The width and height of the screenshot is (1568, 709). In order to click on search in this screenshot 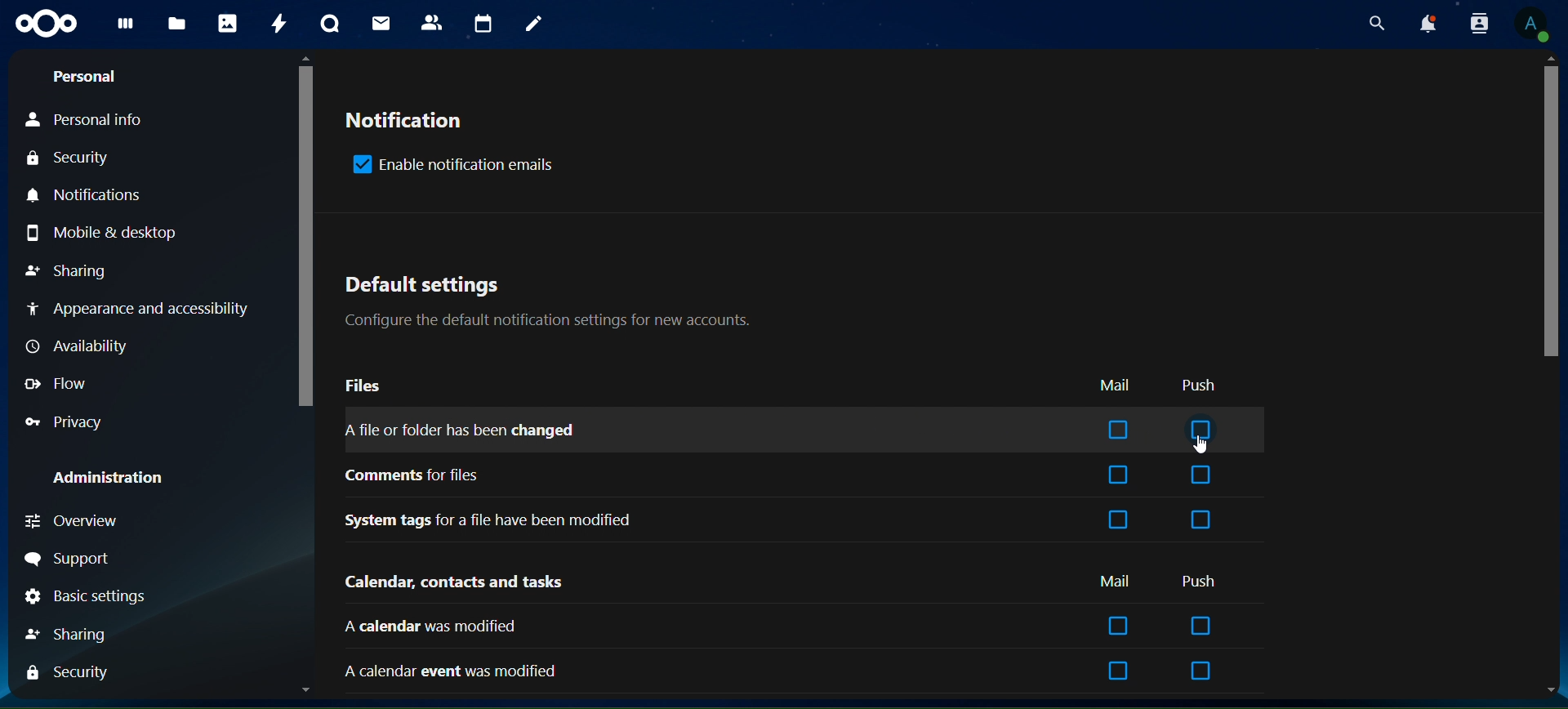, I will do `click(1371, 22)`.